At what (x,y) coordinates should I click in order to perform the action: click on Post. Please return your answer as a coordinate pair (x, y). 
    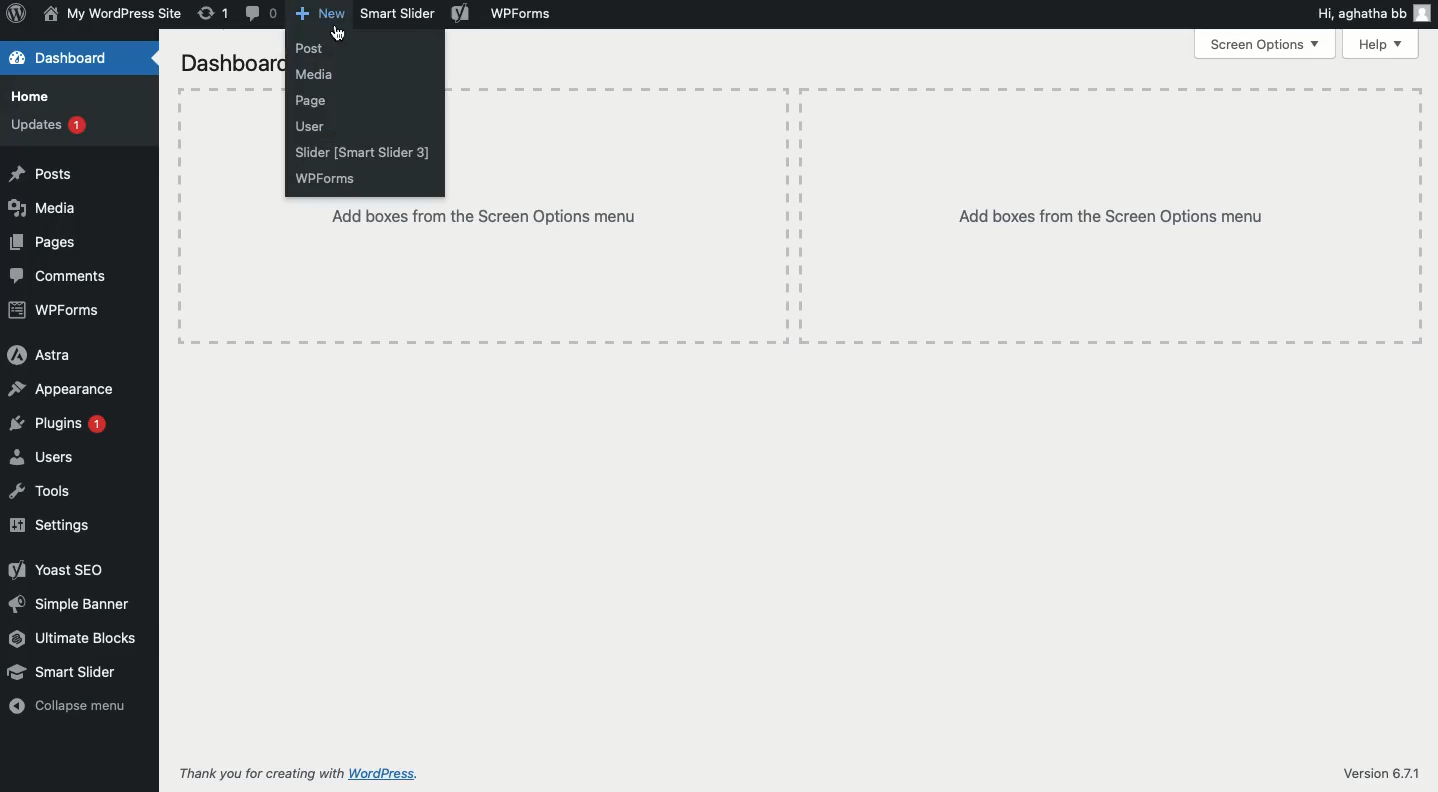
    Looking at the image, I should click on (309, 48).